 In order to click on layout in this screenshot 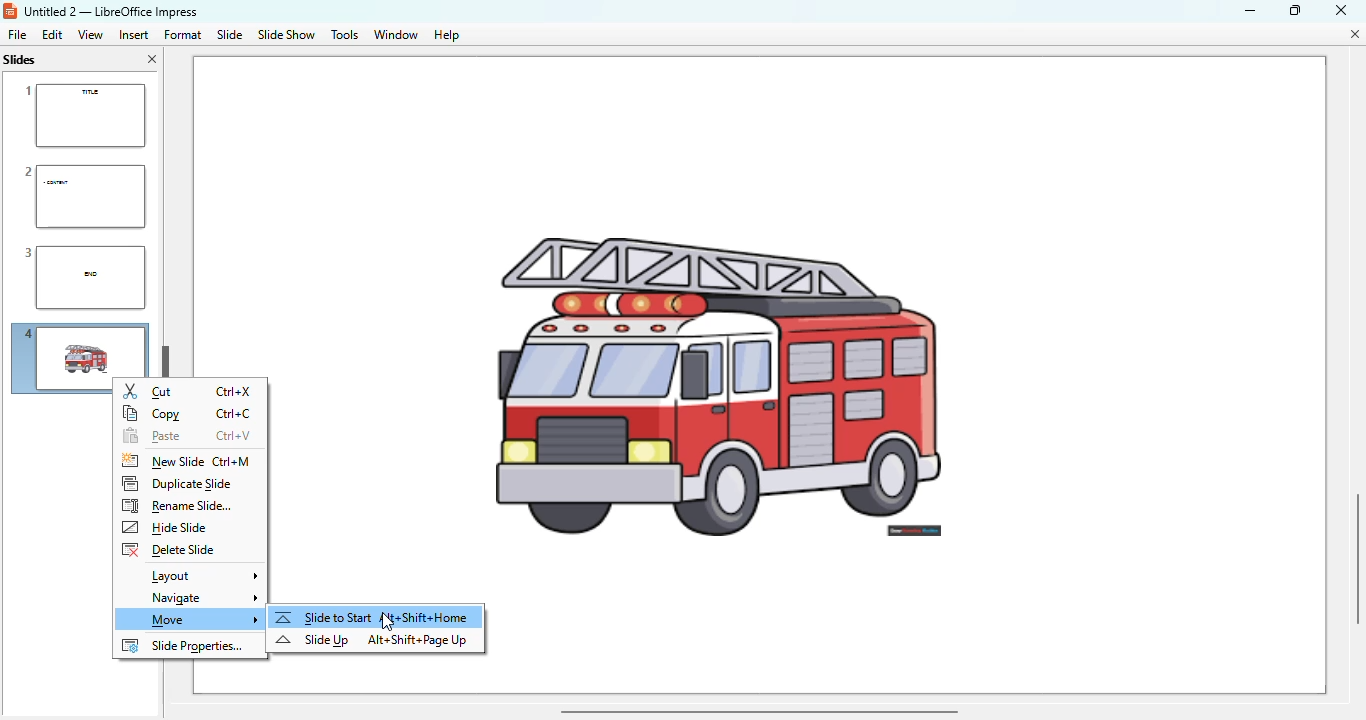, I will do `click(201, 576)`.